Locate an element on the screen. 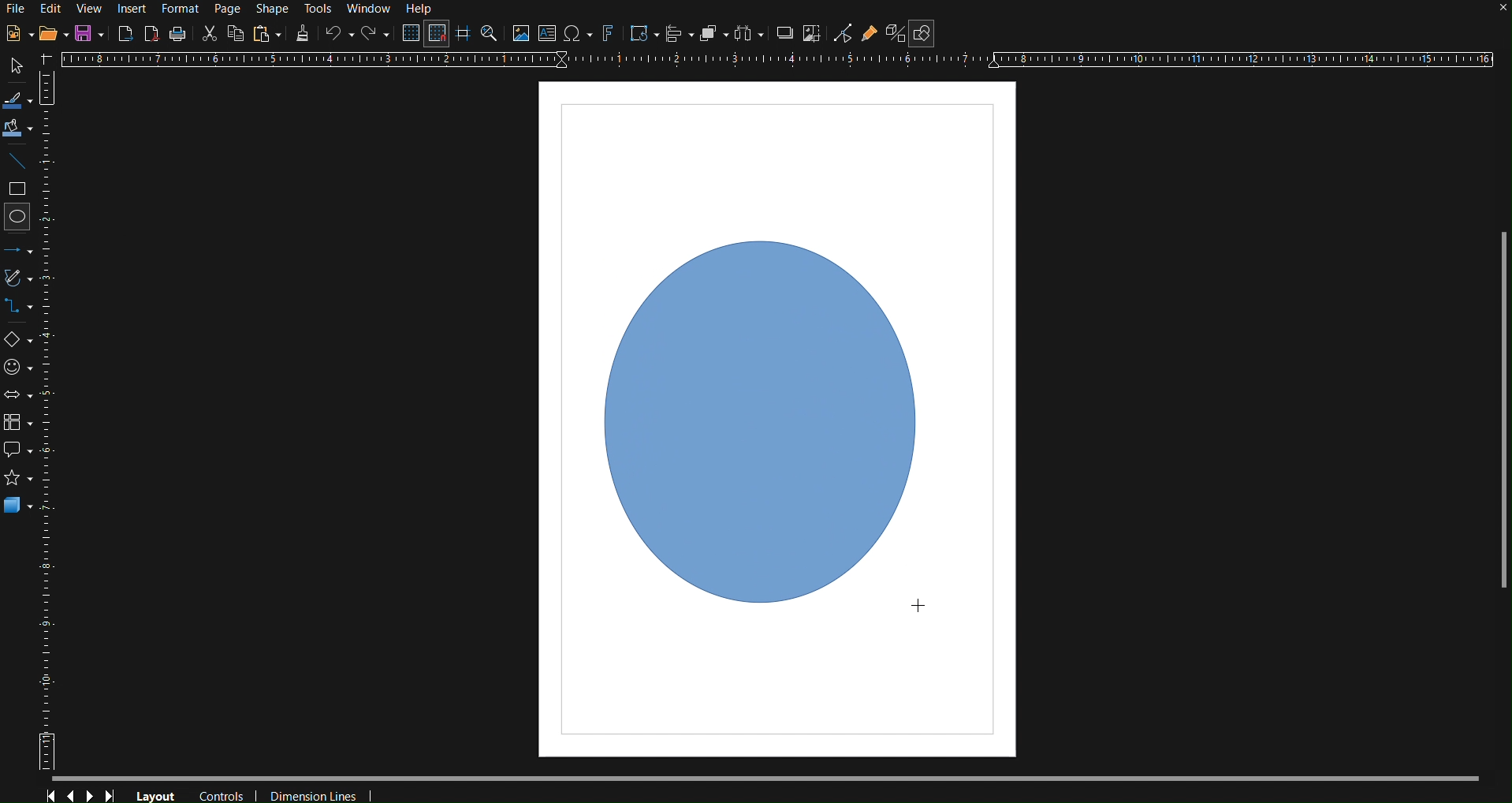  Arrange is located at coordinates (713, 35).